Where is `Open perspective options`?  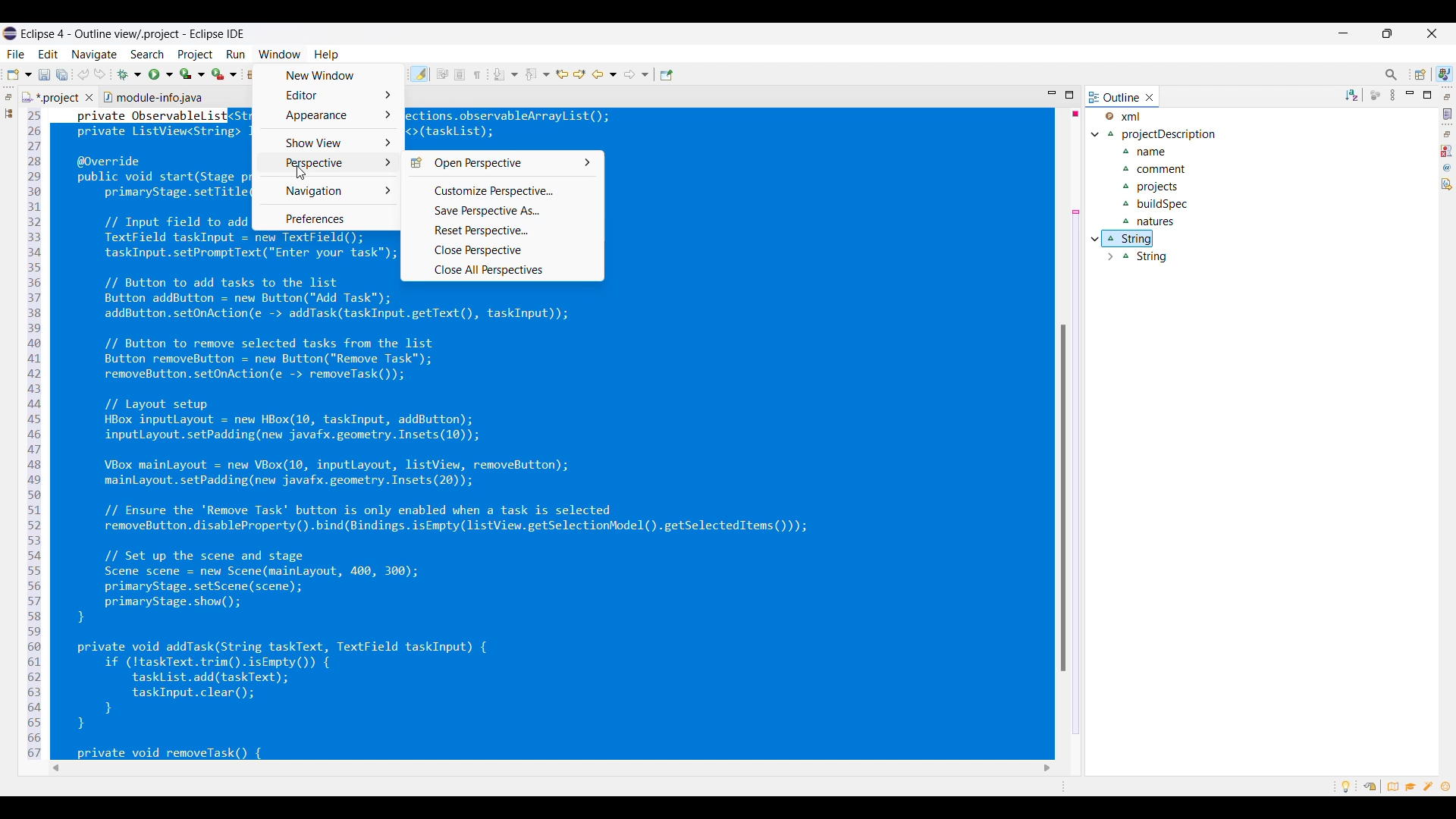 Open perspective options is located at coordinates (501, 163).